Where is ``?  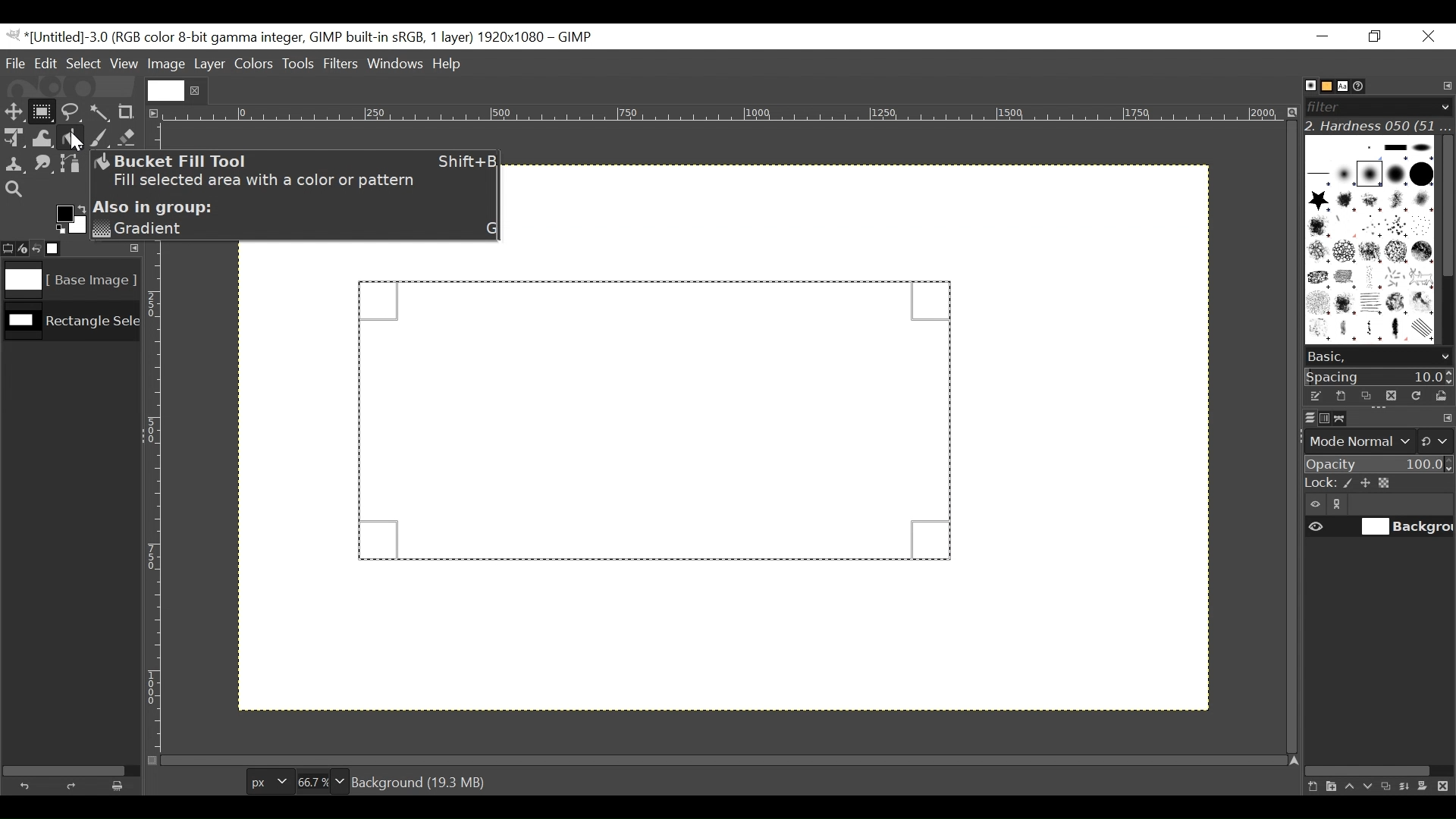  is located at coordinates (167, 88).